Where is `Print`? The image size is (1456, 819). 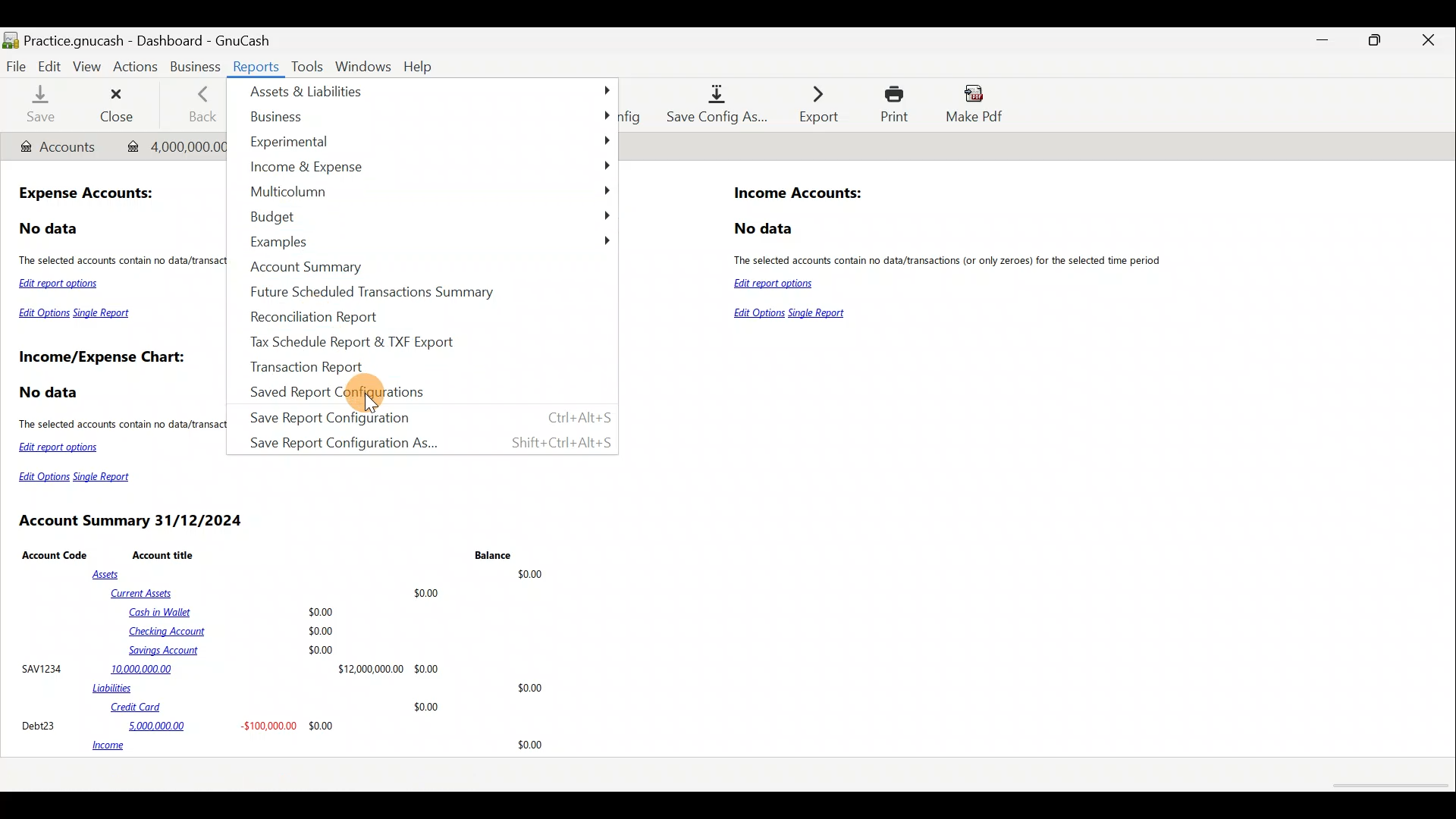 Print is located at coordinates (890, 104).